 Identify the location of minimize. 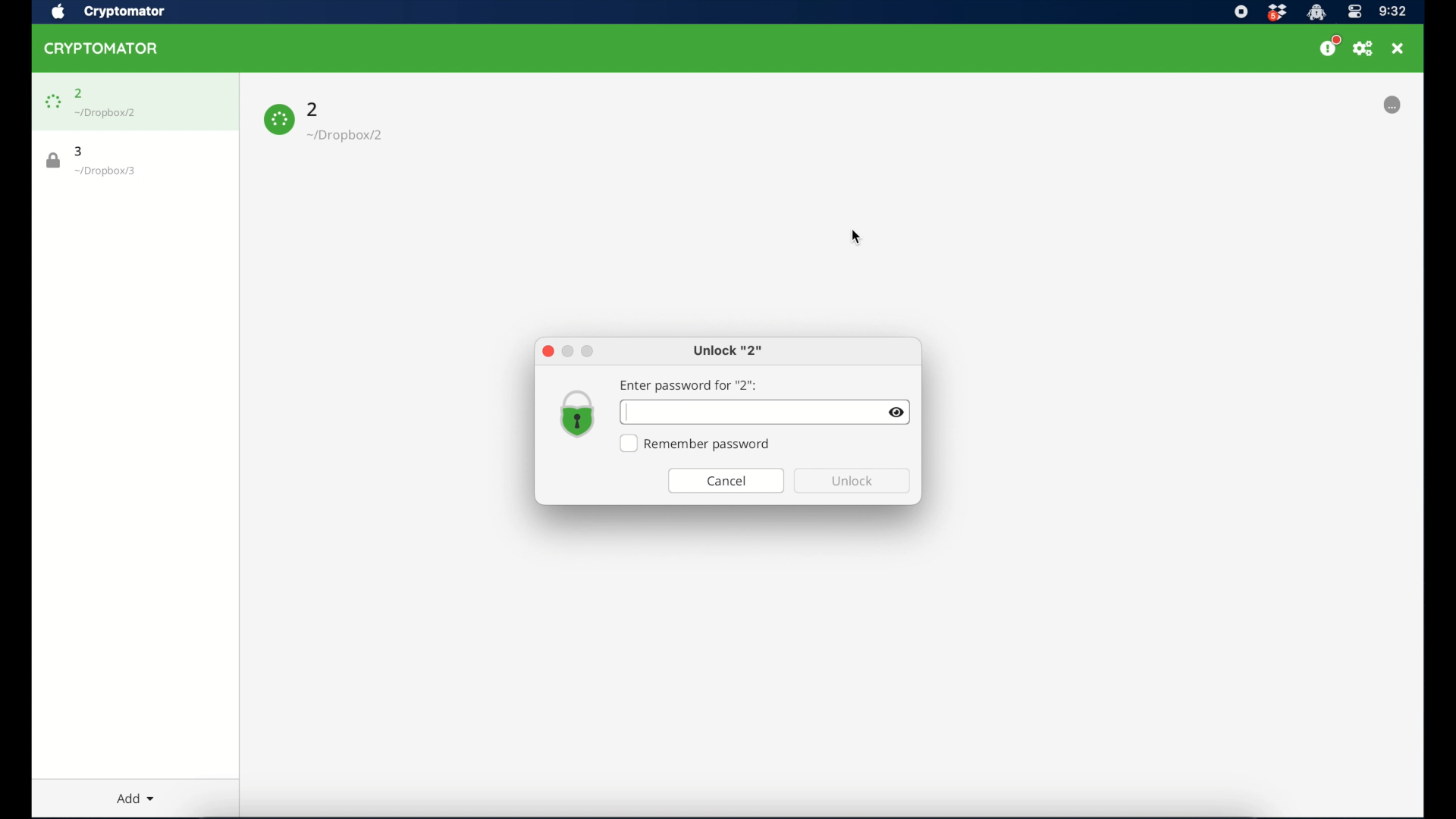
(566, 351).